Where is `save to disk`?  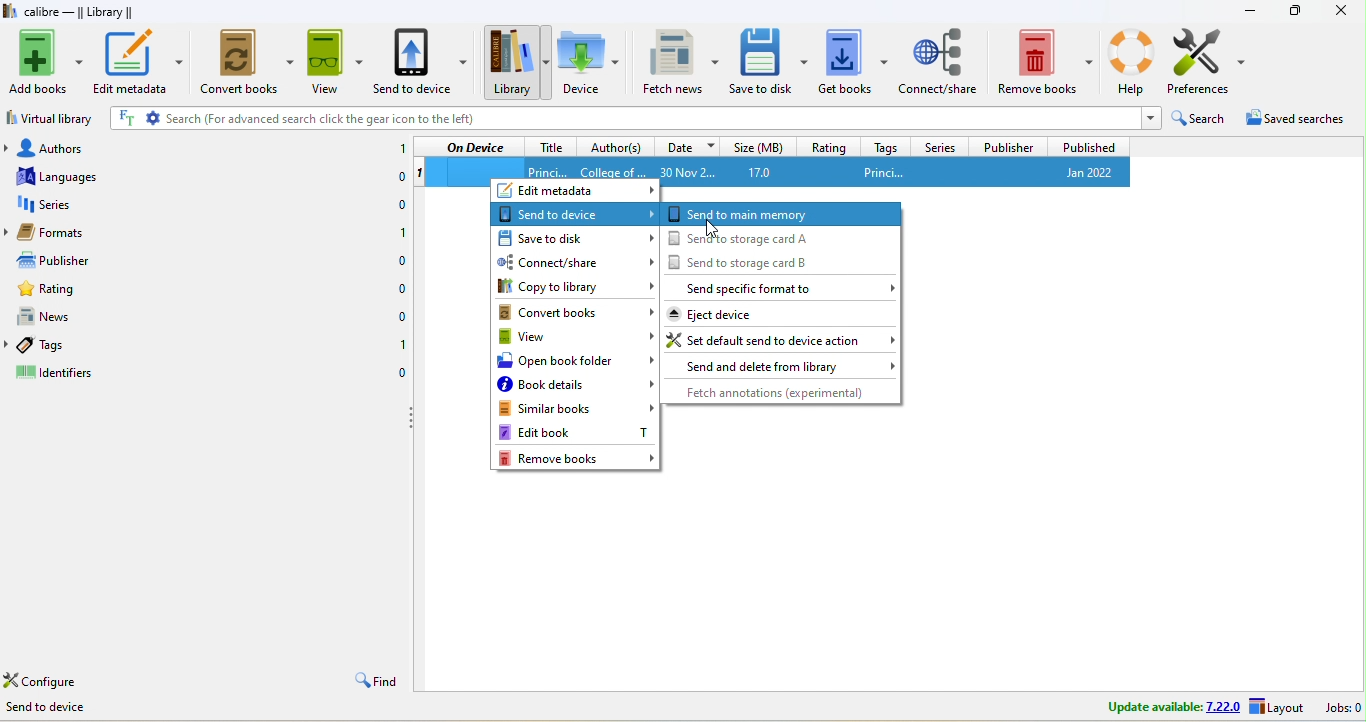 save to disk is located at coordinates (576, 239).